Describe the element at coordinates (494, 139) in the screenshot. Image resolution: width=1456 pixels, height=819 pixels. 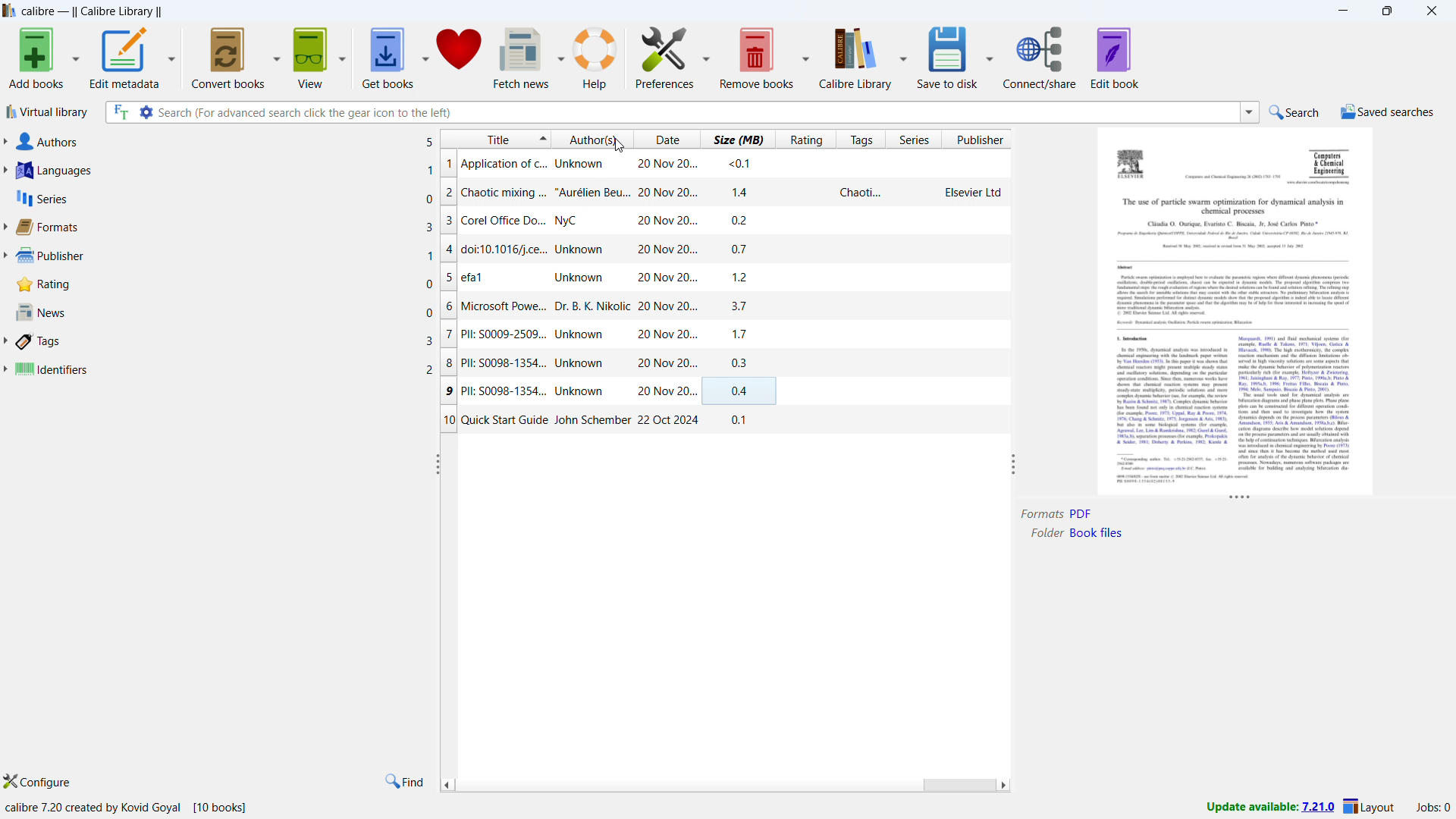
I see `sort by title` at that location.